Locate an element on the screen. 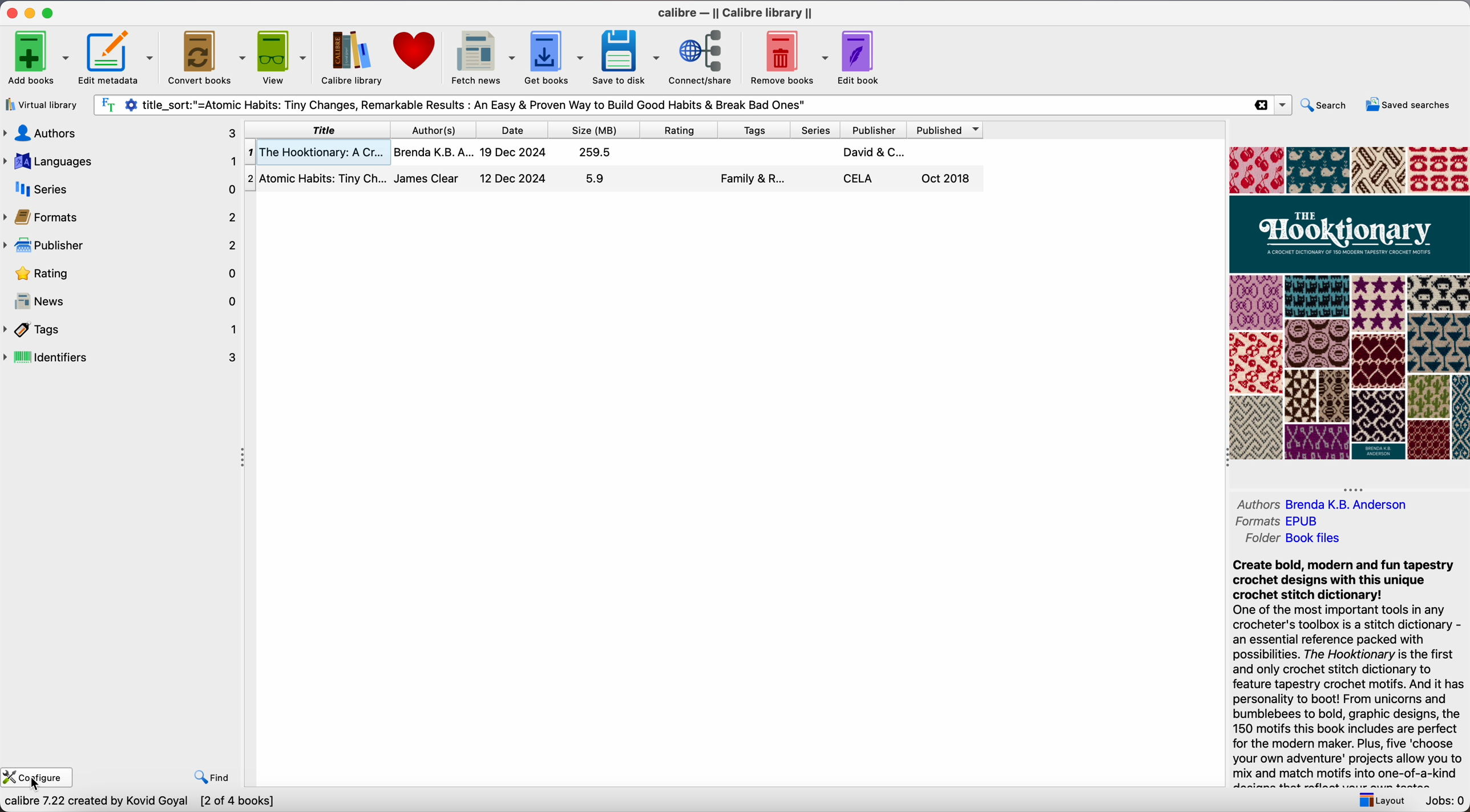 The image size is (1470, 812). size is located at coordinates (597, 128).